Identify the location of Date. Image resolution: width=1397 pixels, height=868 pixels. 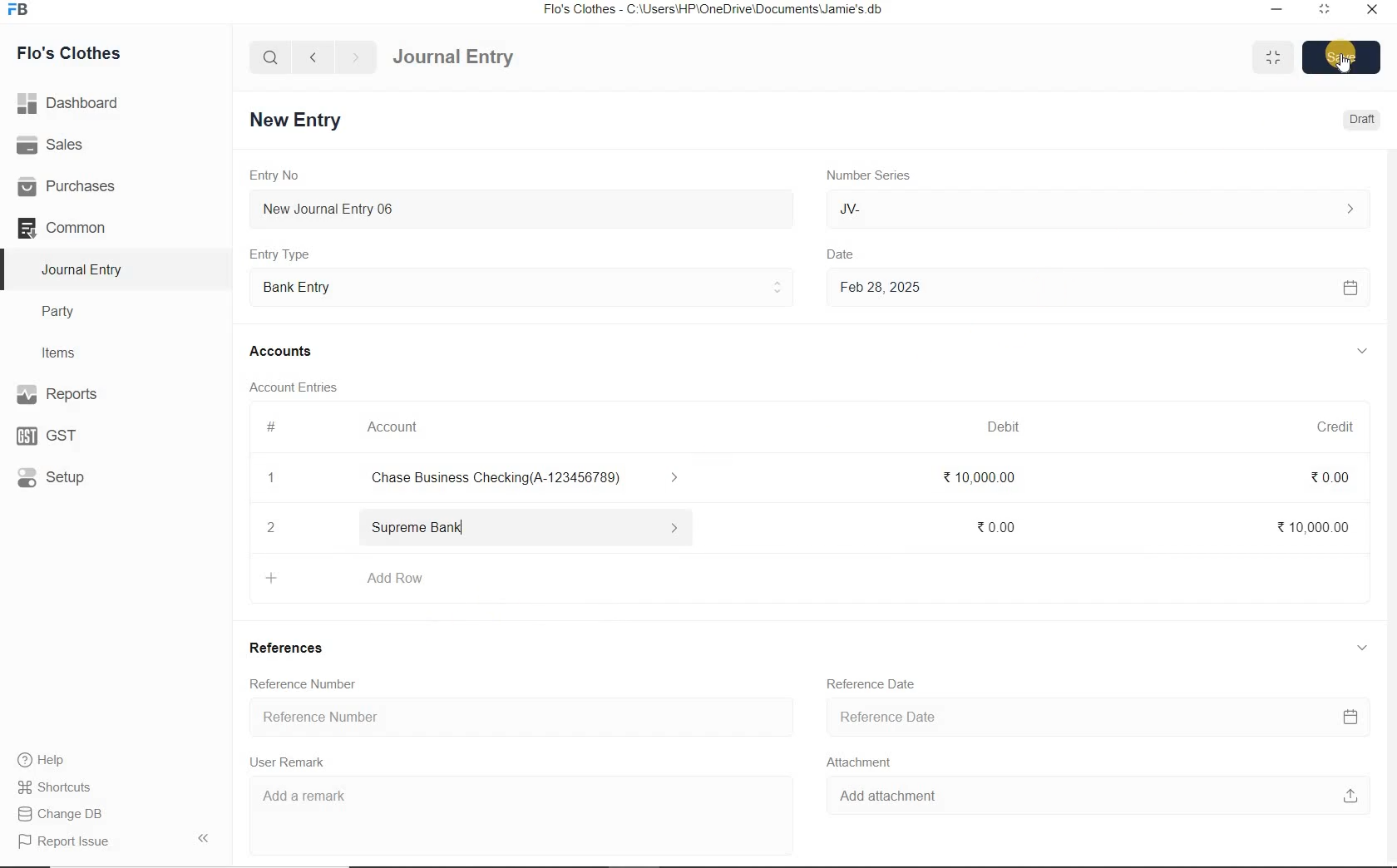
(852, 250).